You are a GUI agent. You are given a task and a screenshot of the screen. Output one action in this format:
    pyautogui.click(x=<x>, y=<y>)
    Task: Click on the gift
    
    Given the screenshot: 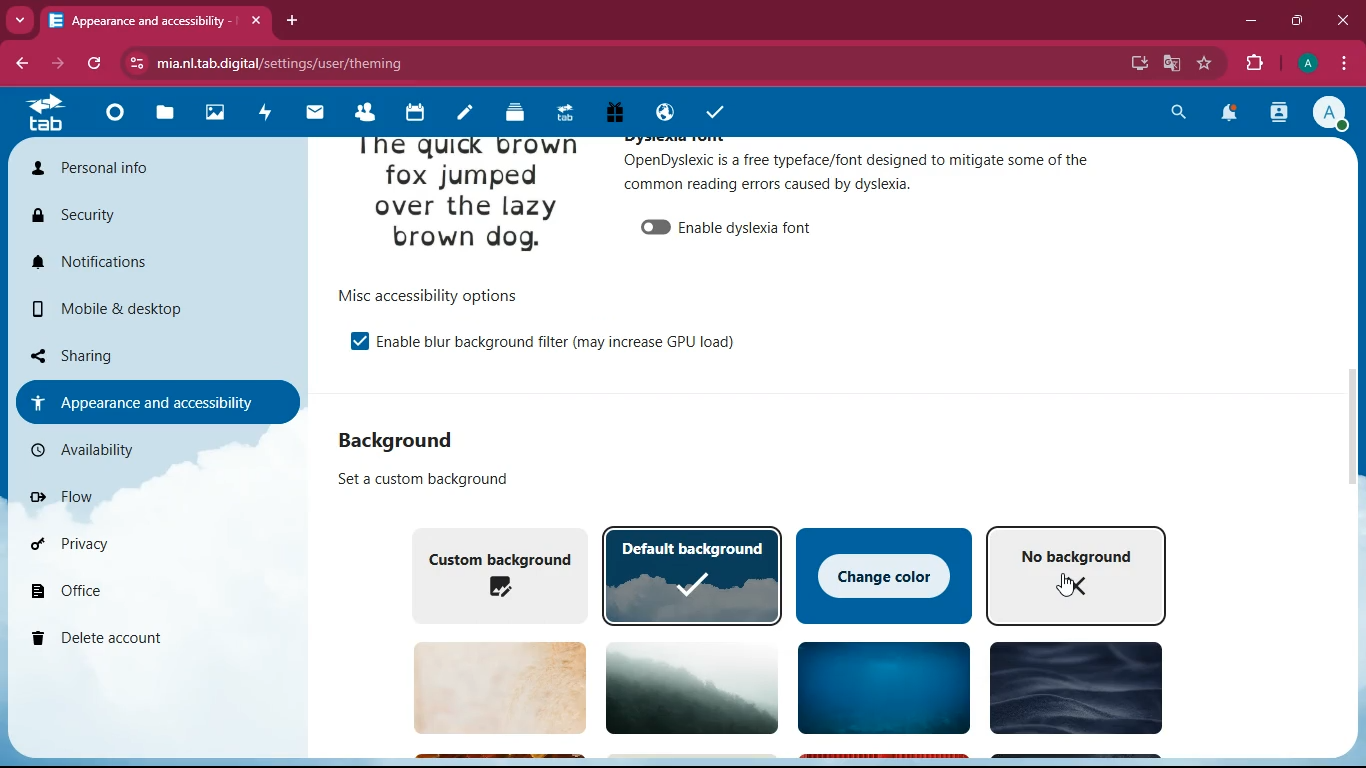 What is the action you would take?
    pyautogui.click(x=613, y=112)
    